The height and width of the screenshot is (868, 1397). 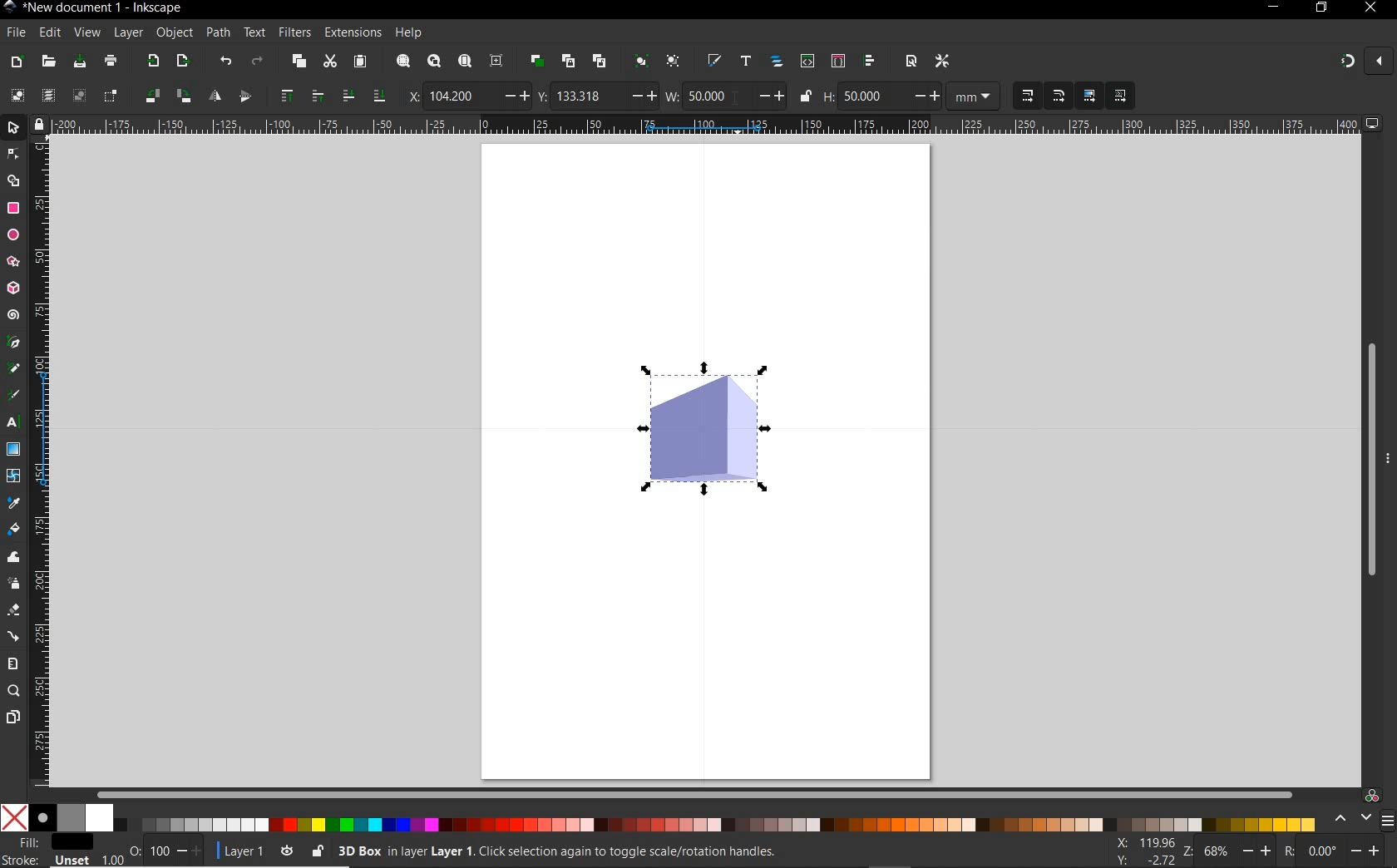 What do you see at coordinates (12, 664) in the screenshot?
I see `measure tool` at bounding box center [12, 664].